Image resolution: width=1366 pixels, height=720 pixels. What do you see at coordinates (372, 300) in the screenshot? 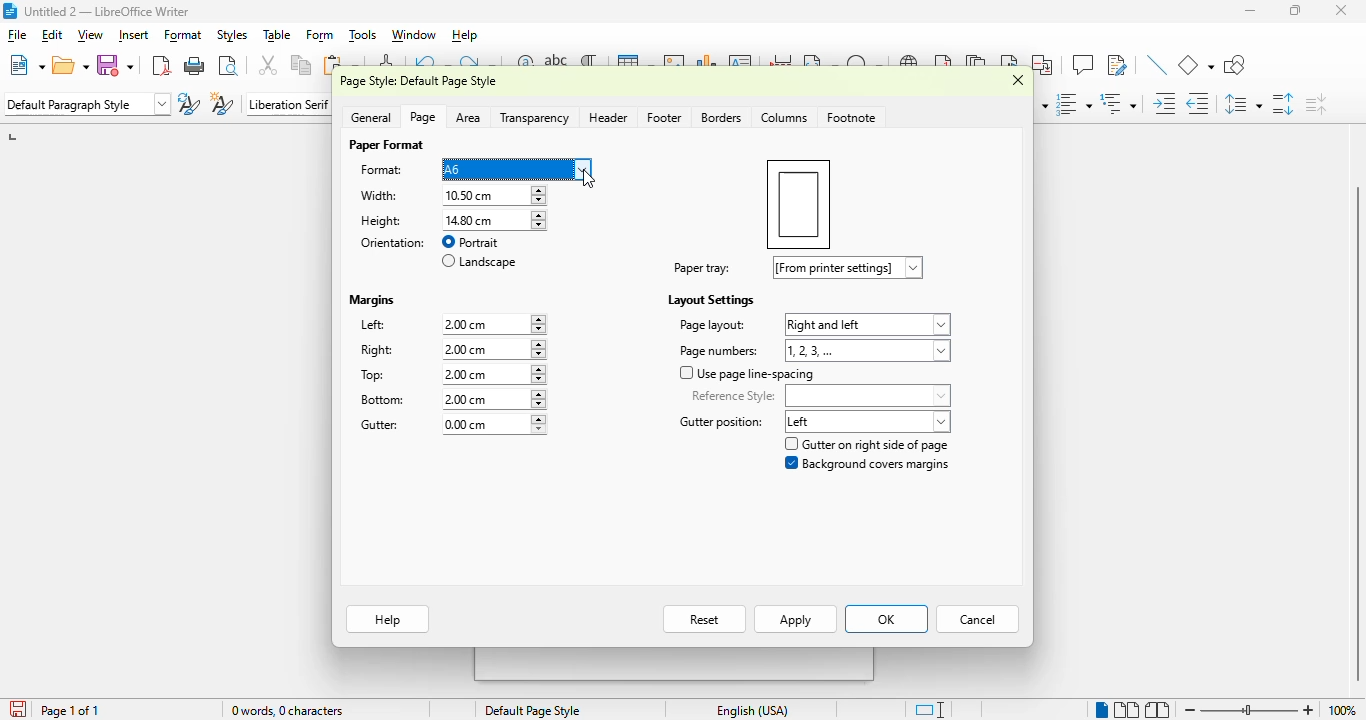
I see `margins` at bounding box center [372, 300].